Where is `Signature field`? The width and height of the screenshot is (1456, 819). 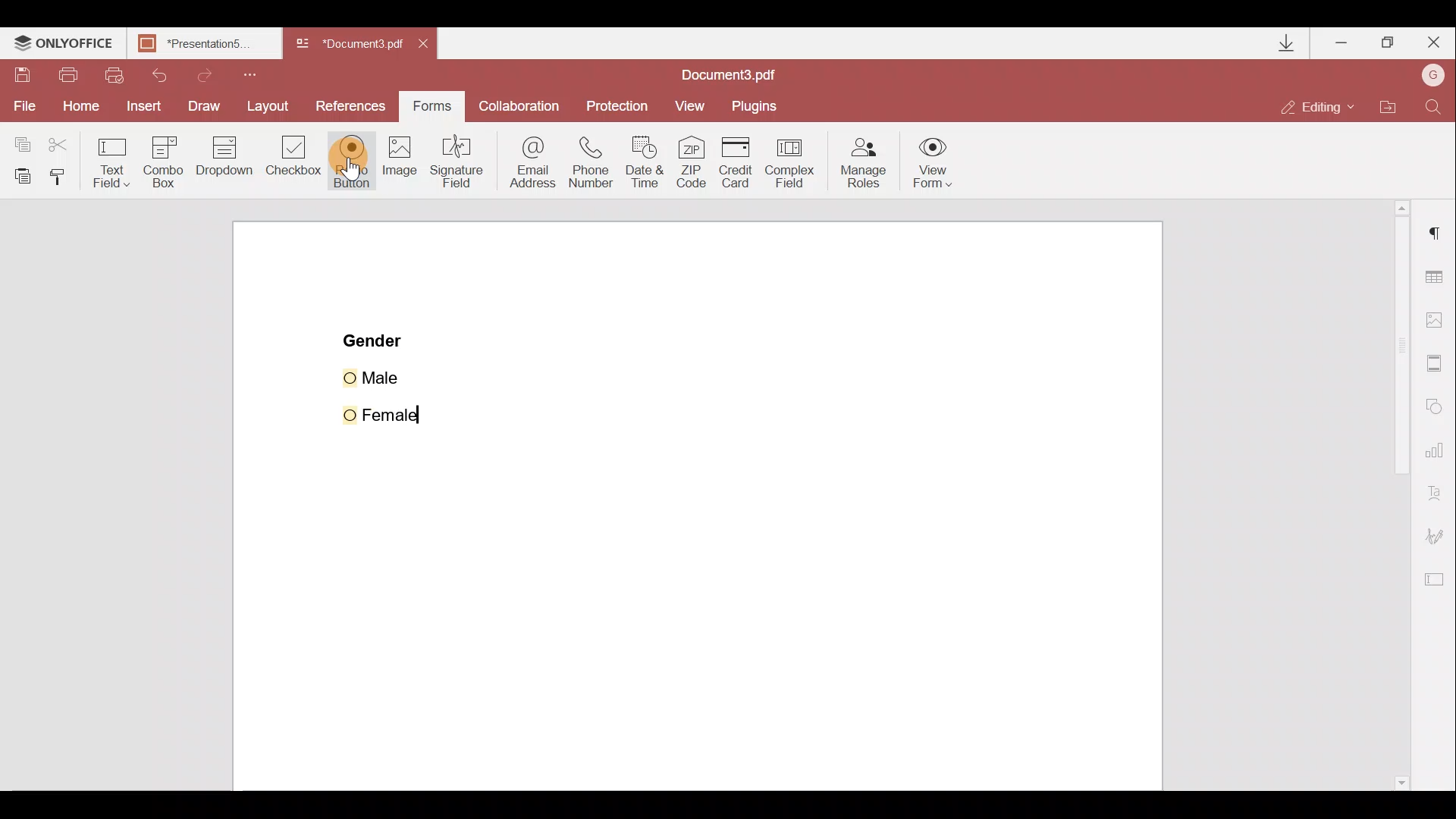 Signature field is located at coordinates (461, 168).